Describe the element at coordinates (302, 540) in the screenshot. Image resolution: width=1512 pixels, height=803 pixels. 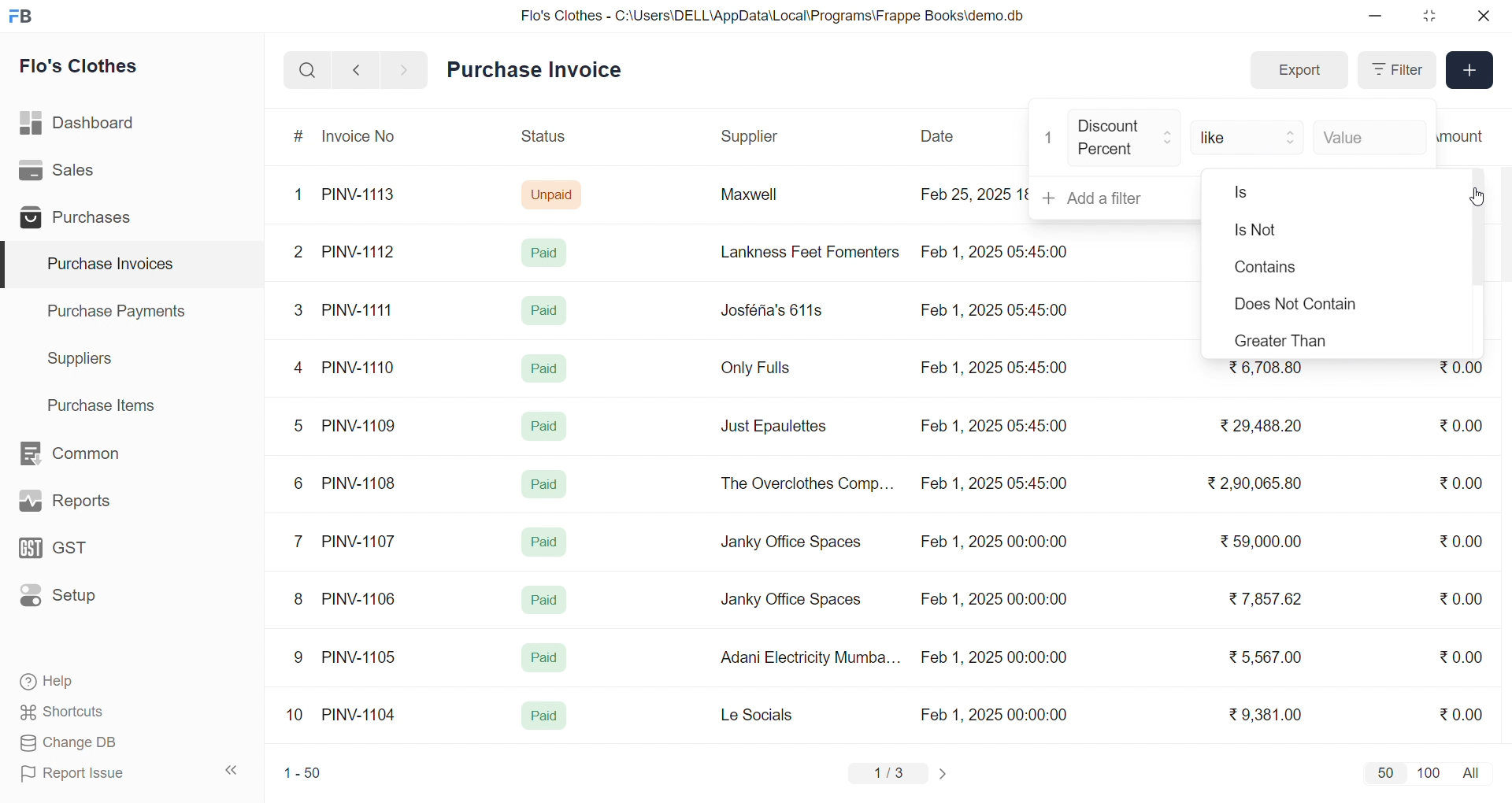
I see `7` at that location.